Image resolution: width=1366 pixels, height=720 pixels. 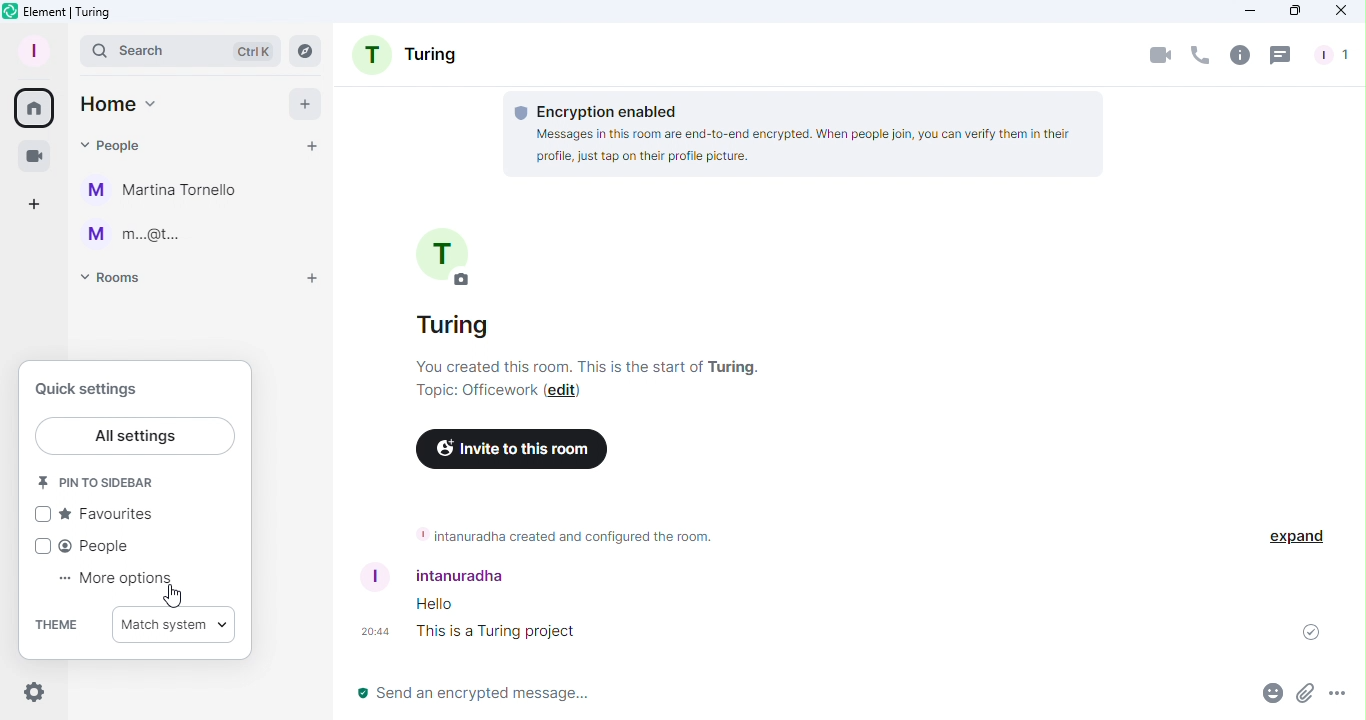 I want to click on Create a space, so click(x=36, y=202).